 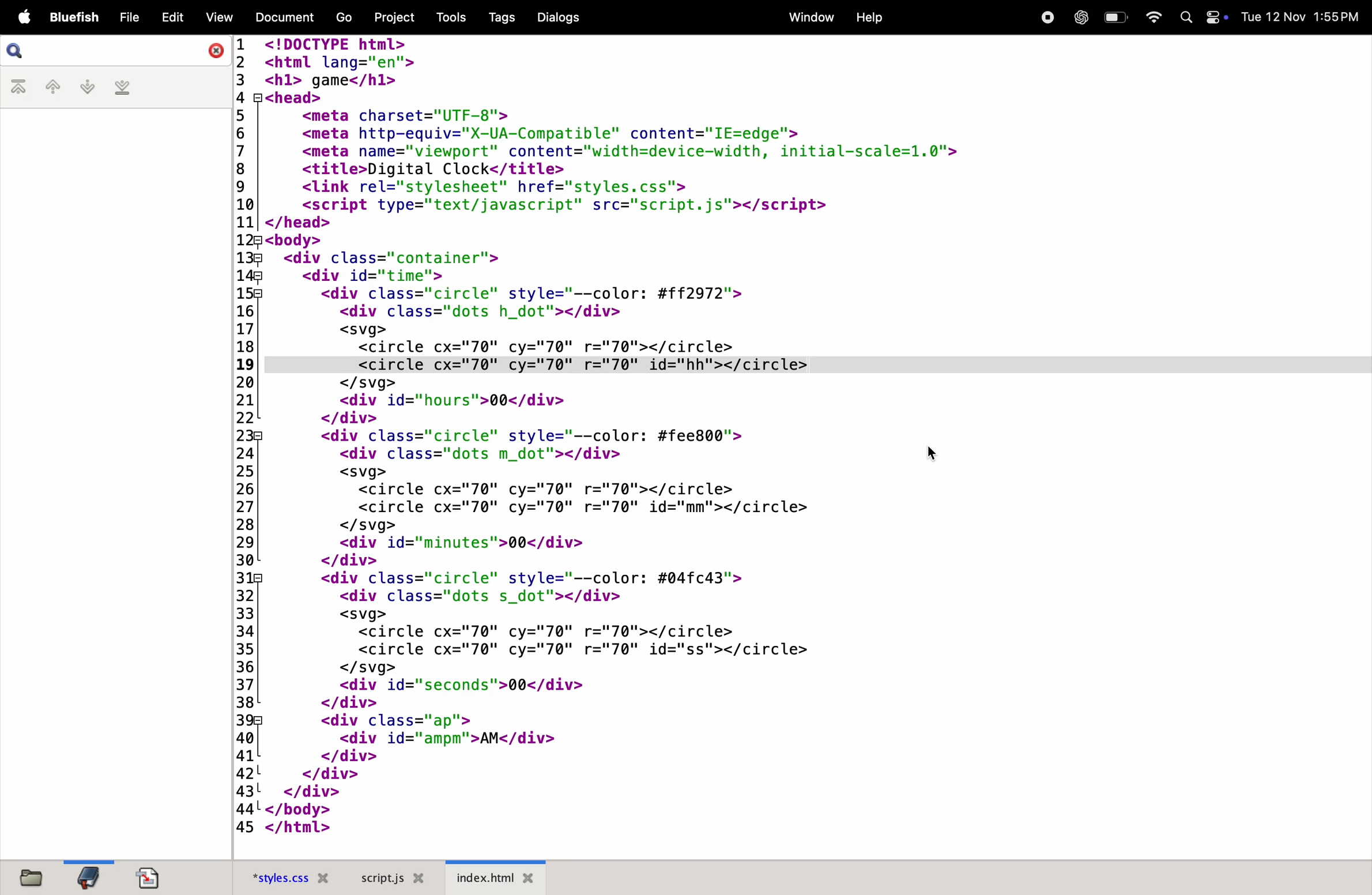 I want to click on pdf, so click(x=157, y=879).